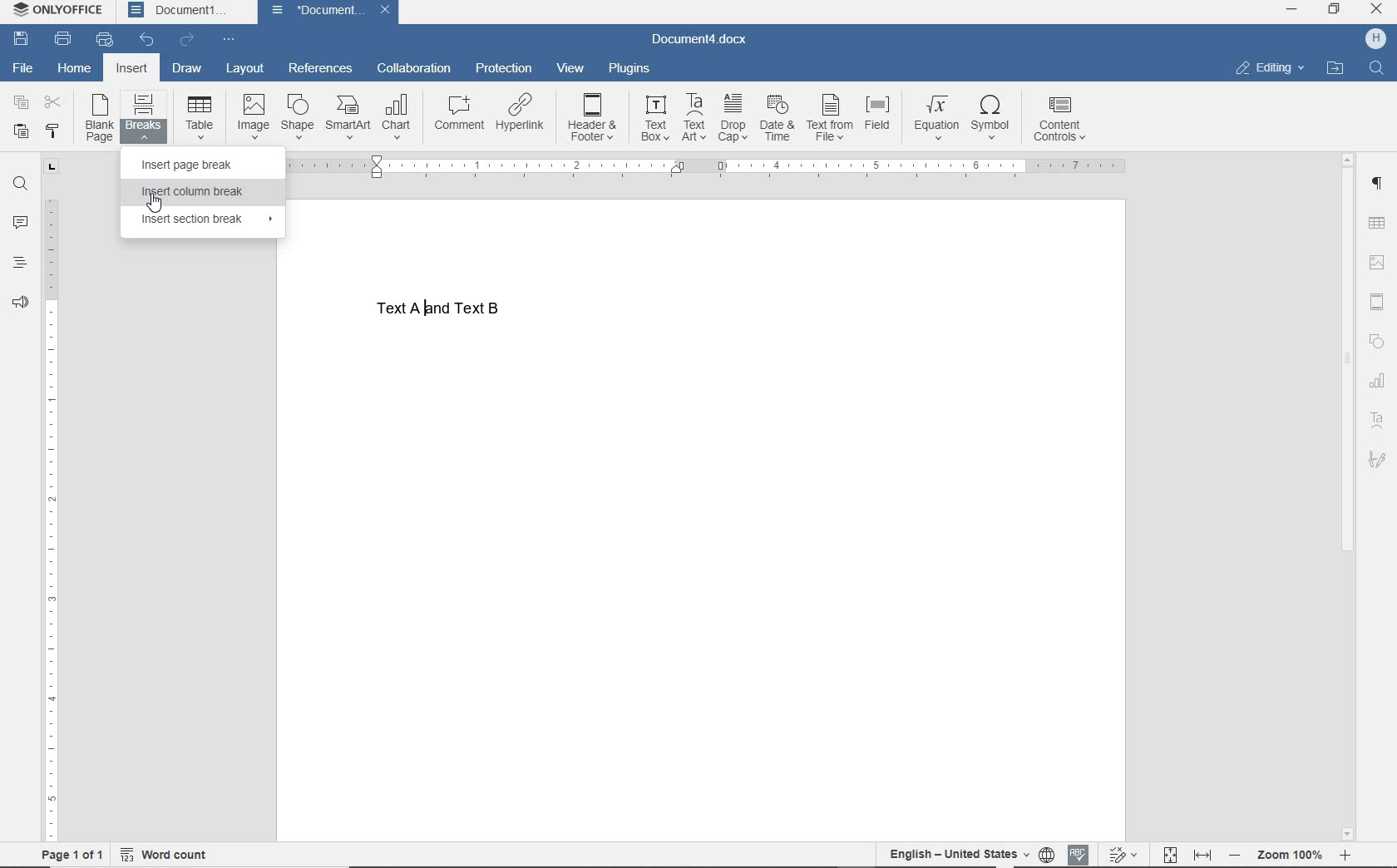 Image resolution: width=1397 pixels, height=868 pixels. Describe the element at coordinates (734, 120) in the screenshot. I see `DROP CAP` at that location.